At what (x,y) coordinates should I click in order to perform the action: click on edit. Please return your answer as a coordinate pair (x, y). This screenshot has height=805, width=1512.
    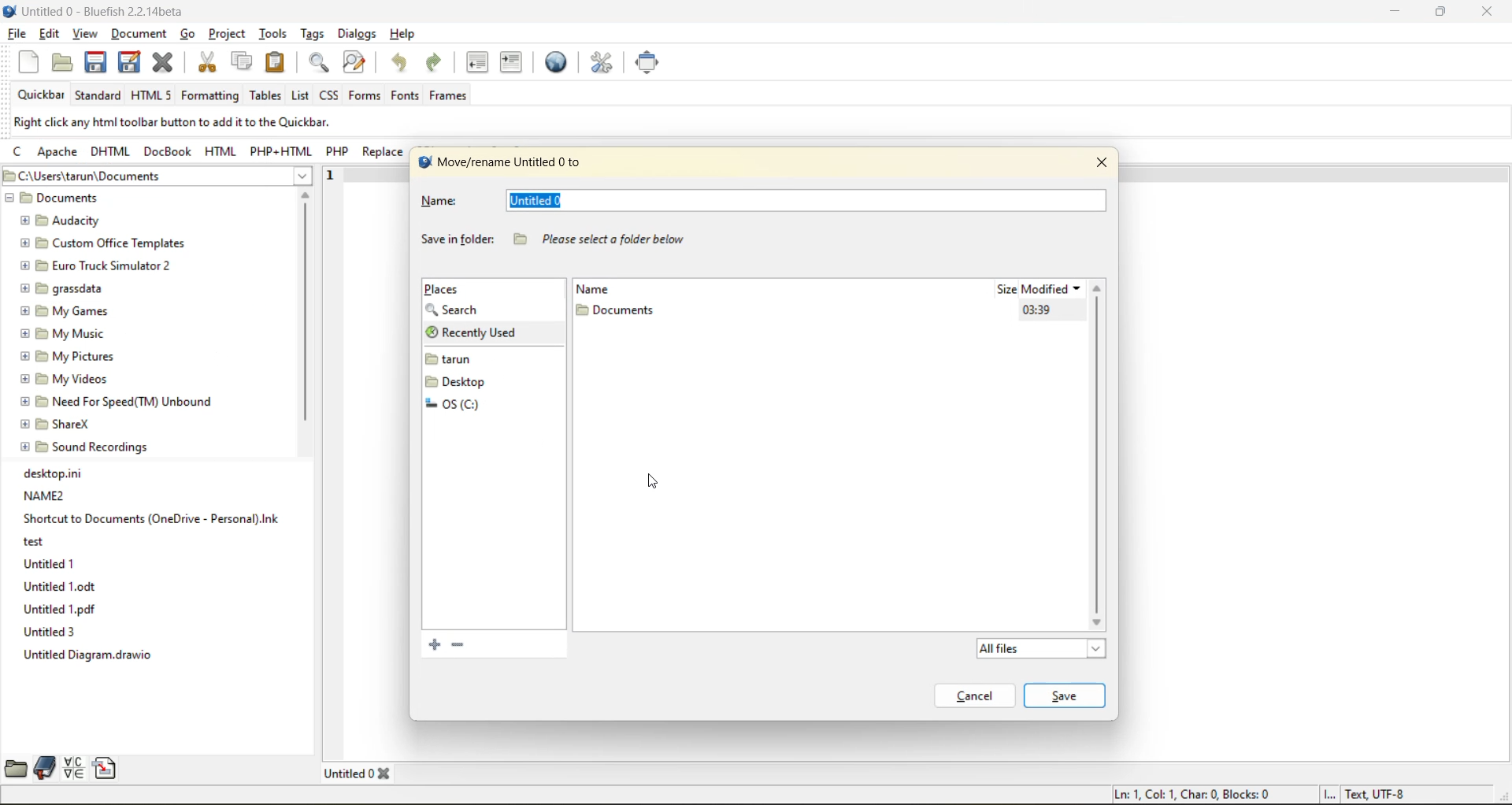
    Looking at the image, I should click on (52, 34).